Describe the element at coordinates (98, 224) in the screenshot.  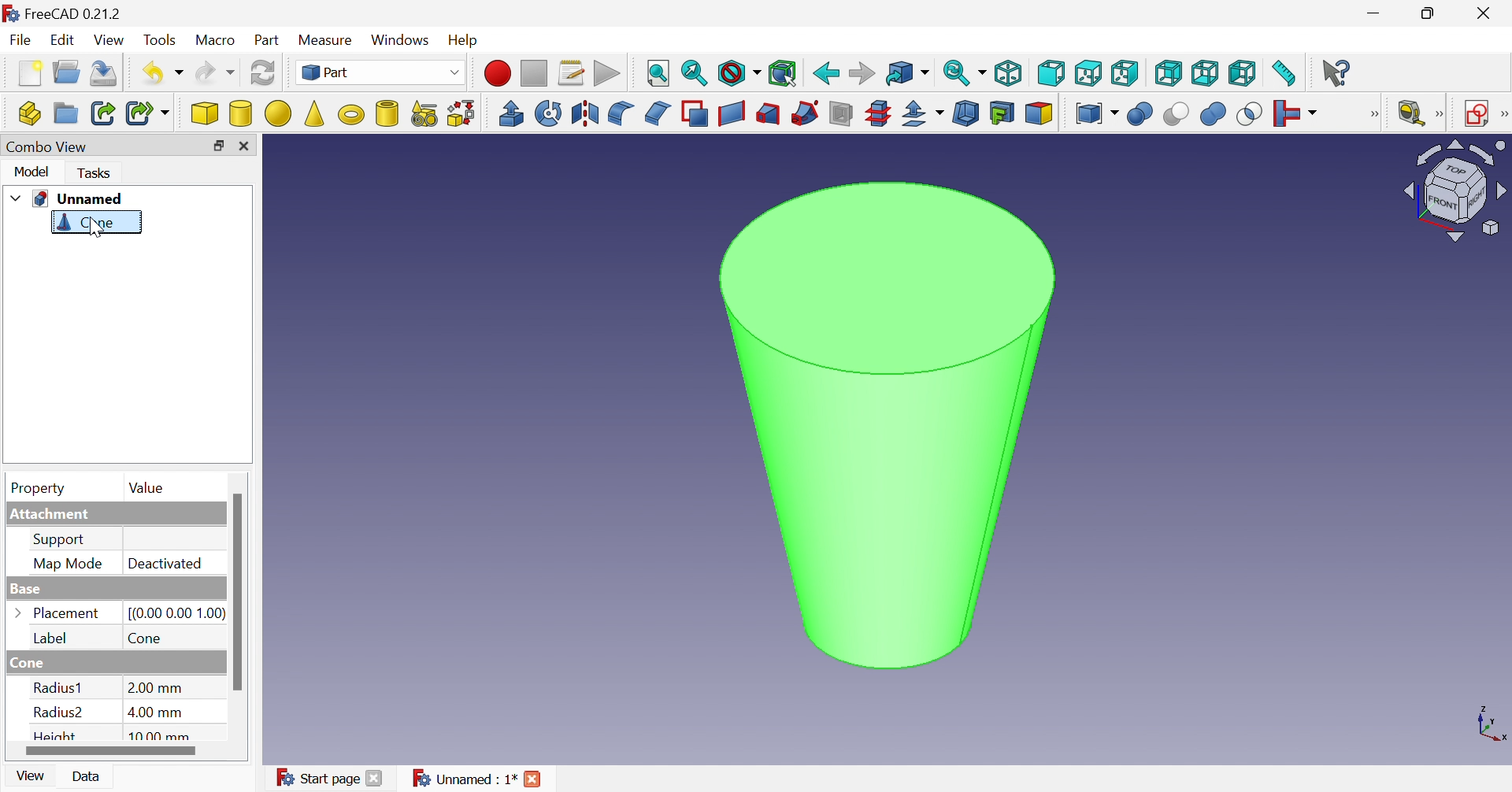
I see `Cone` at that location.